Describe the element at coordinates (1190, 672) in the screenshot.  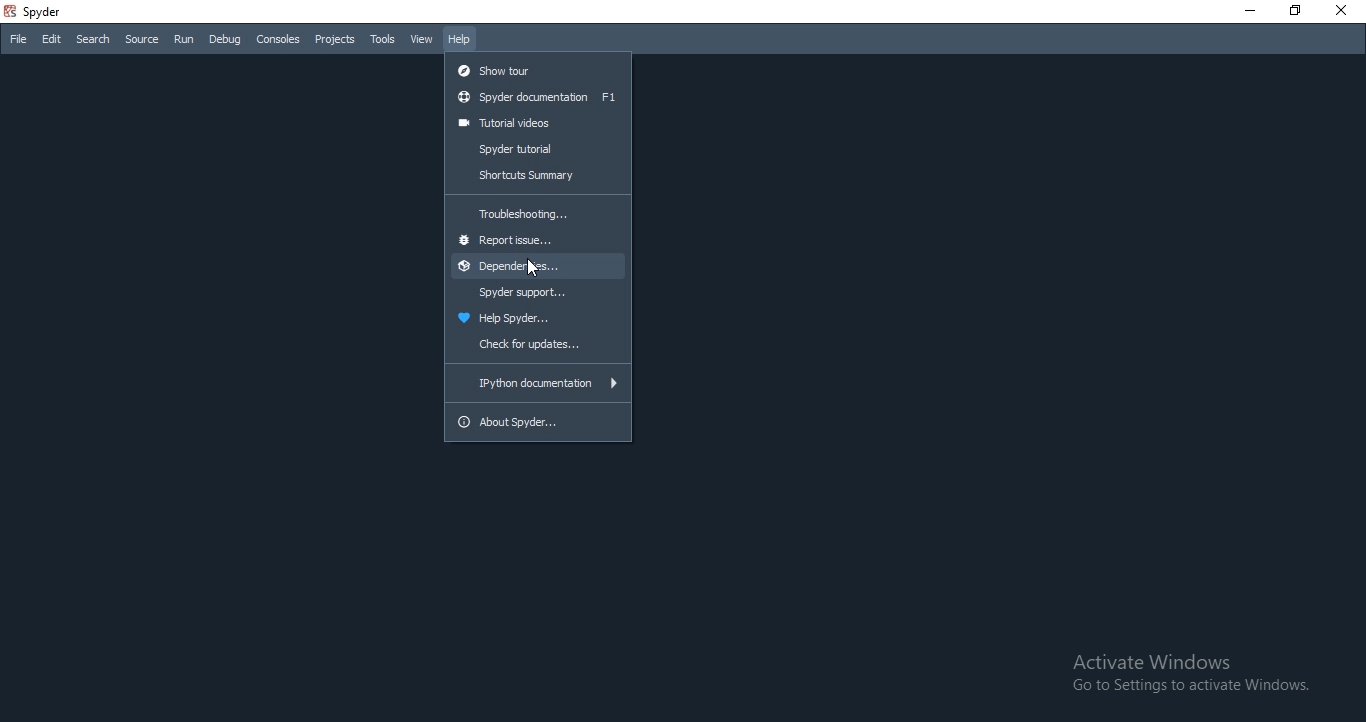
I see `Activate Windows
Go to Settings to activate Windows.` at that location.